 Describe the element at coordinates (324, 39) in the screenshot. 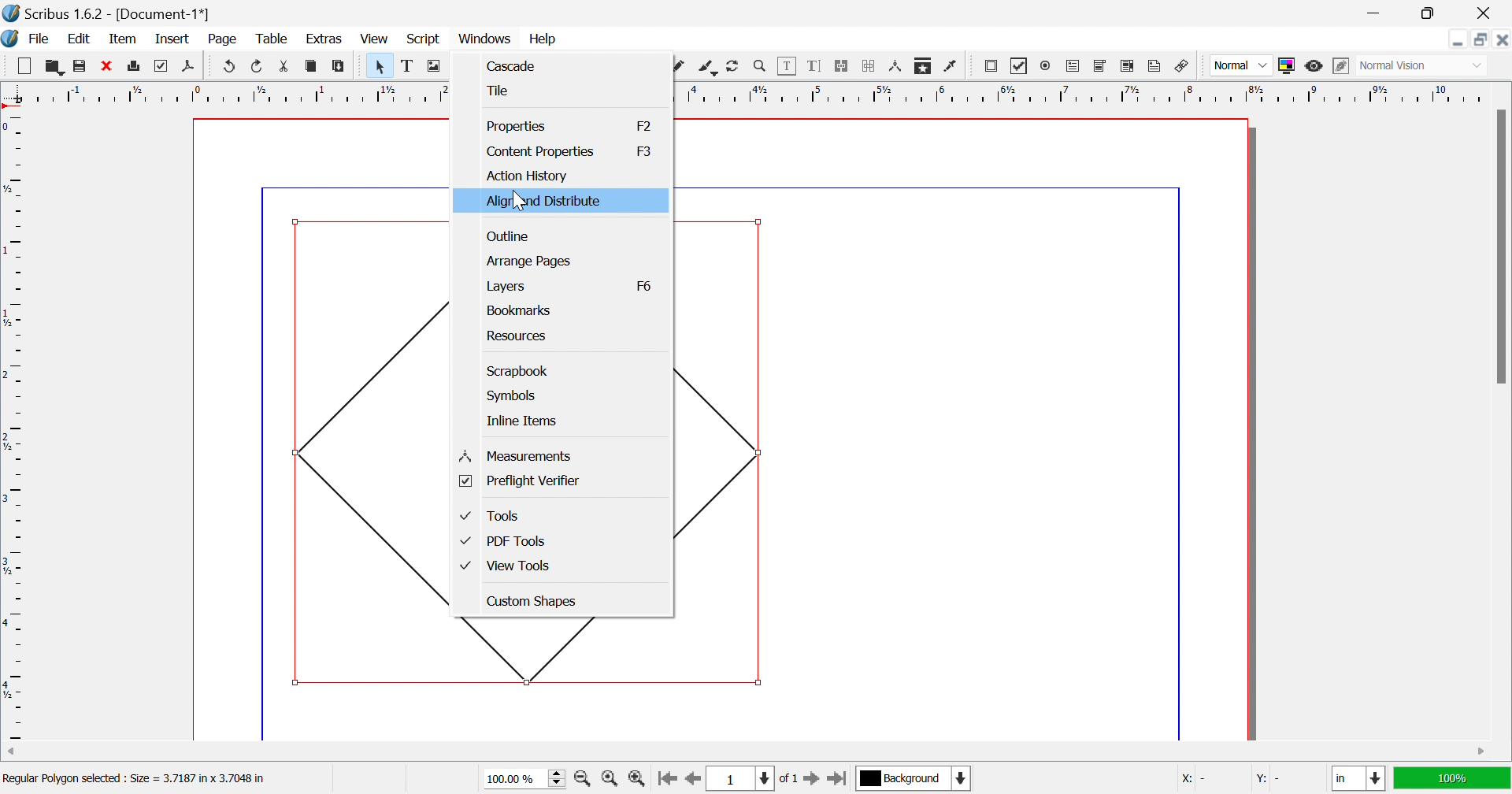

I see `Extras` at that location.